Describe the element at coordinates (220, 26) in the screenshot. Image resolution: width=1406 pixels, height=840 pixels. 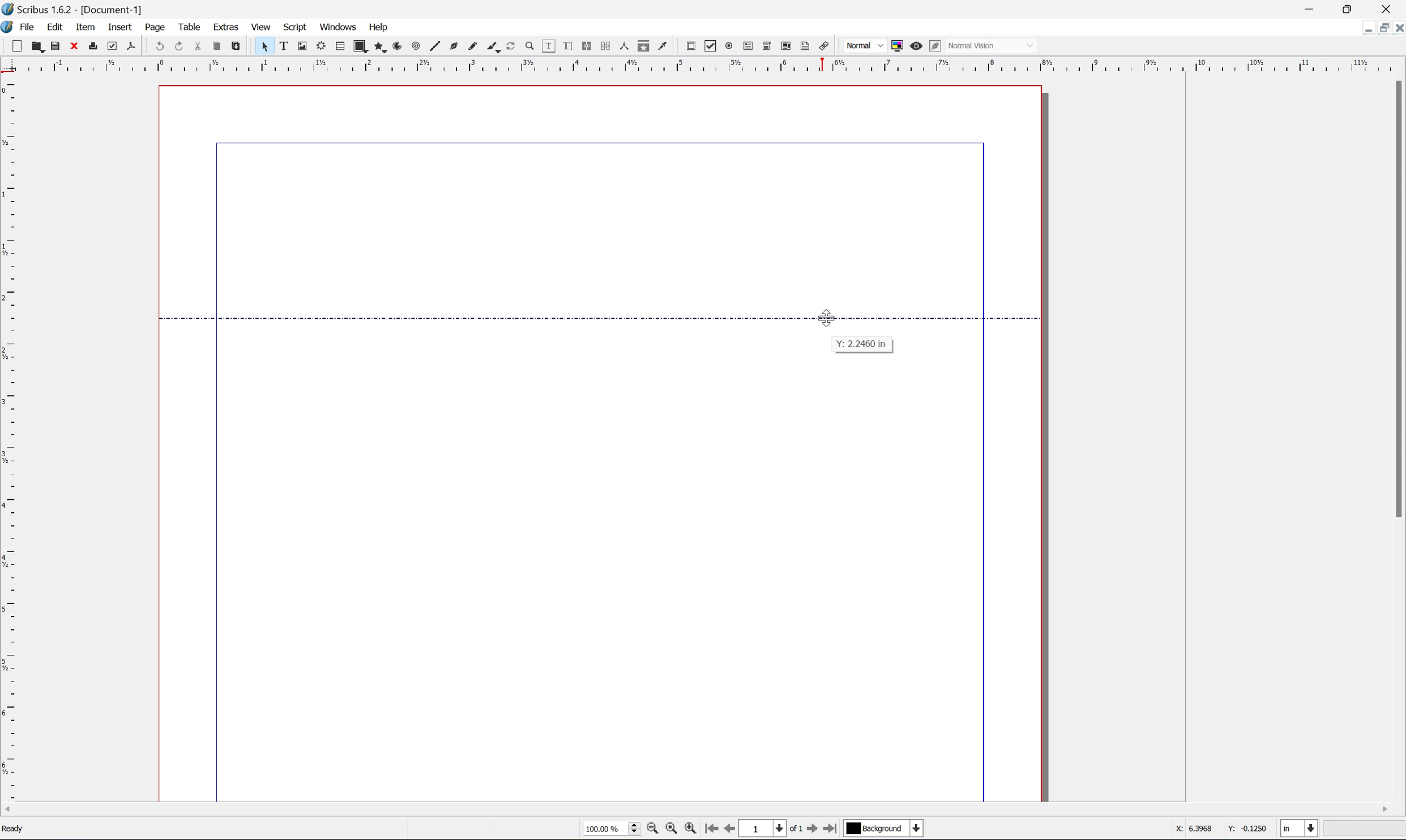
I see `extras` at that location.